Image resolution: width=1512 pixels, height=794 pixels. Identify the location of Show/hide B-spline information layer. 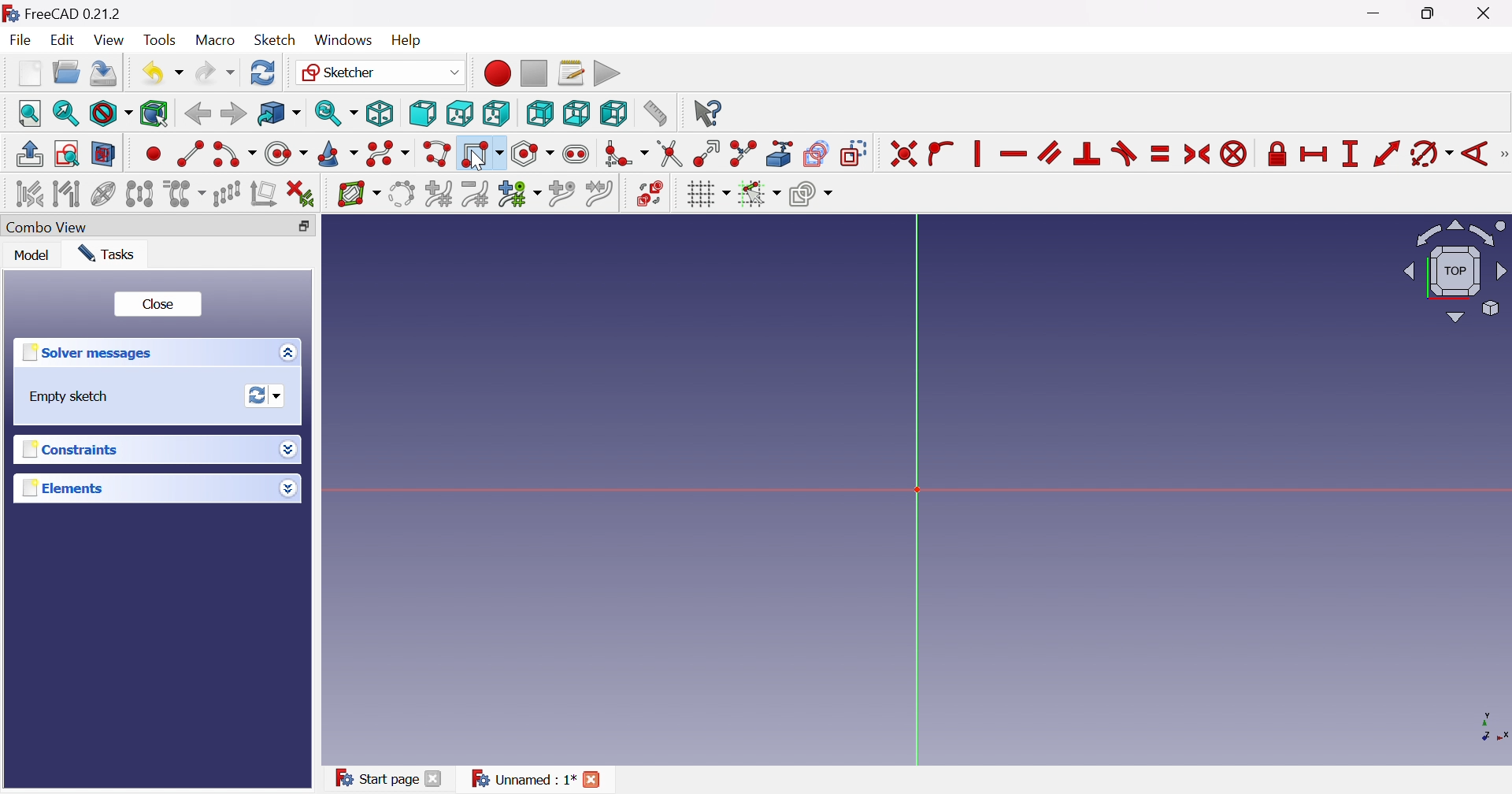
(359, 195).